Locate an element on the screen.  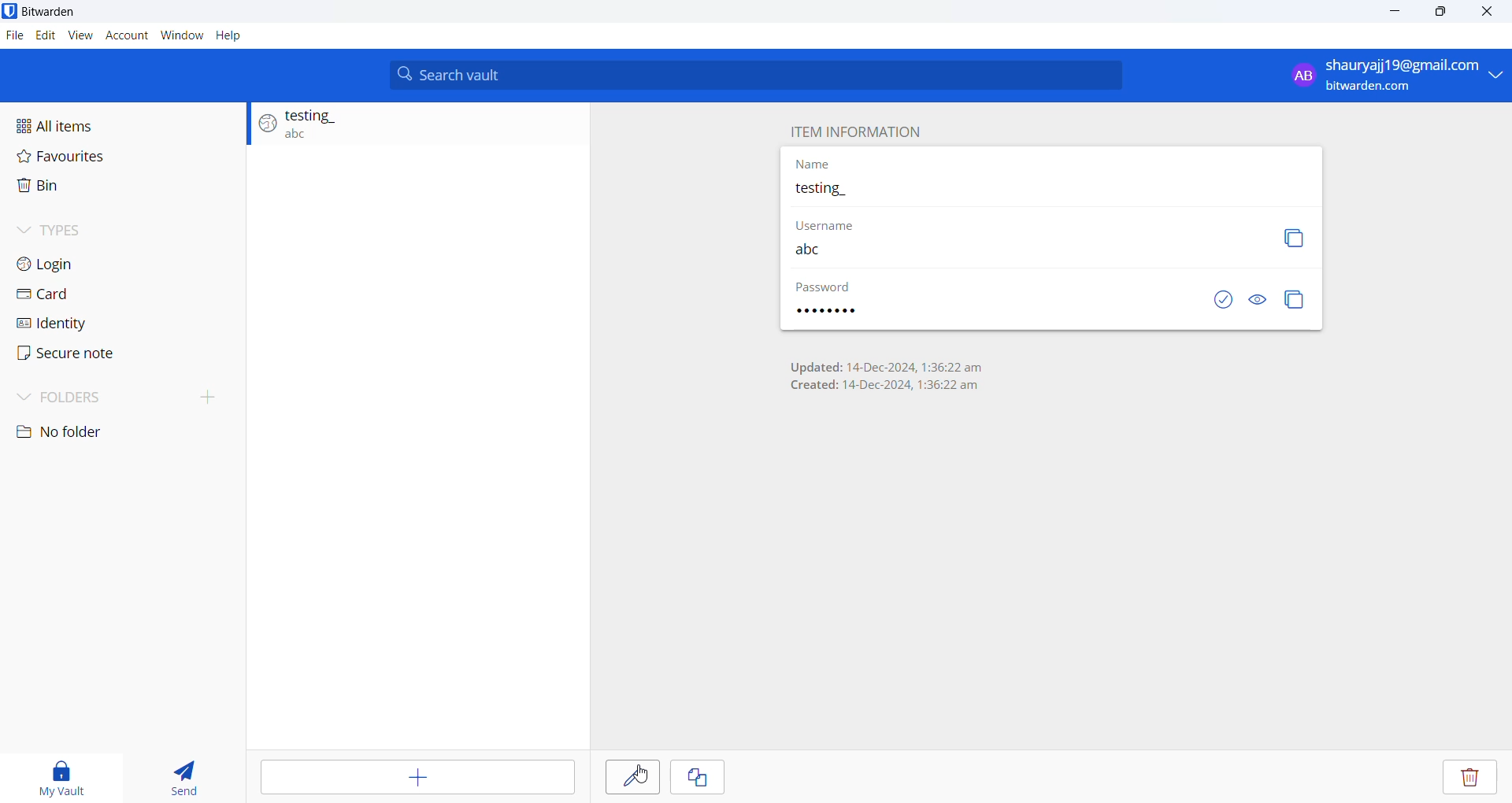
Bin is located at coordinates (114, 187).